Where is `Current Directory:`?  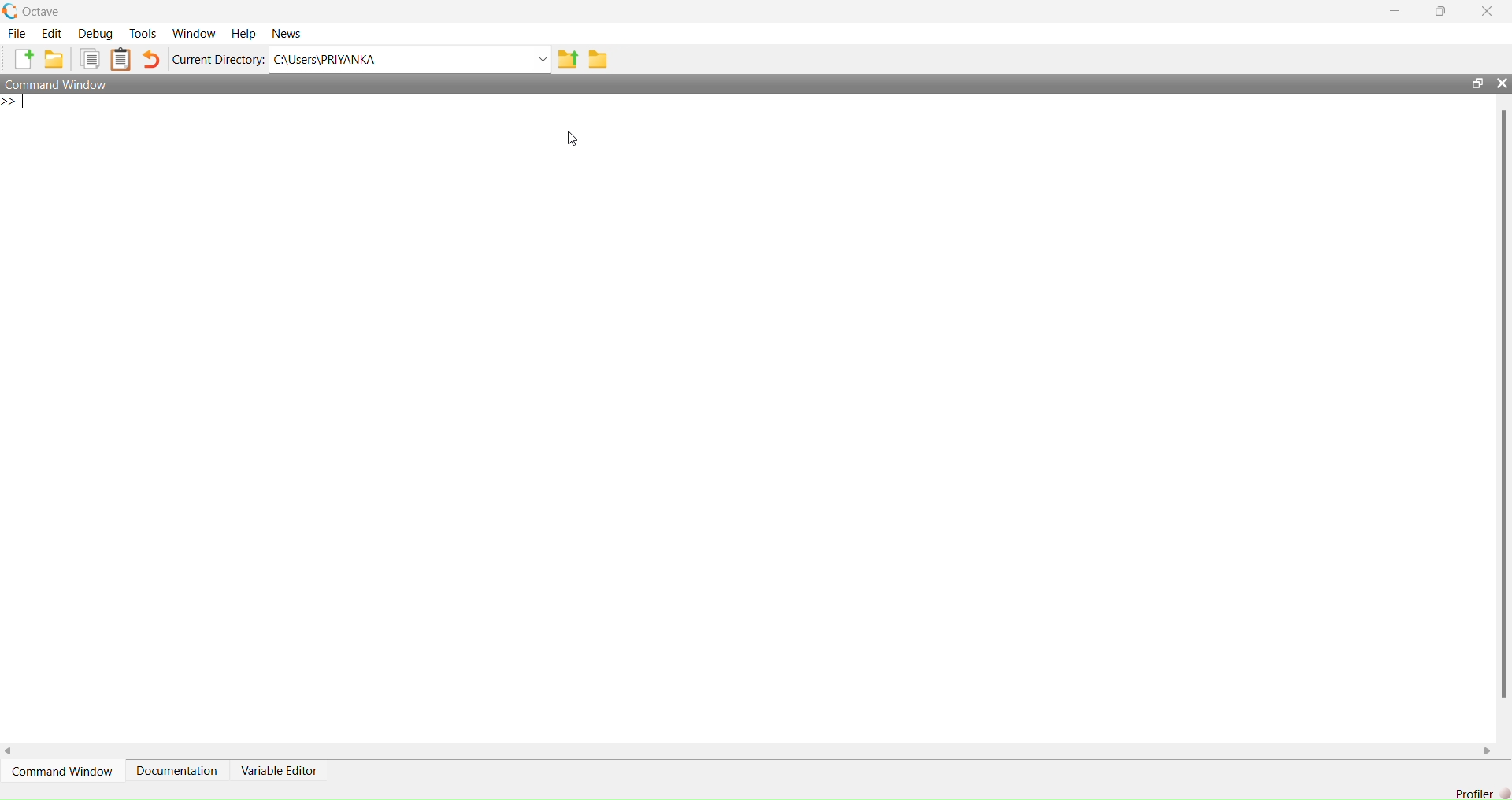
Current Directory: is located at coordinates (220, 61).